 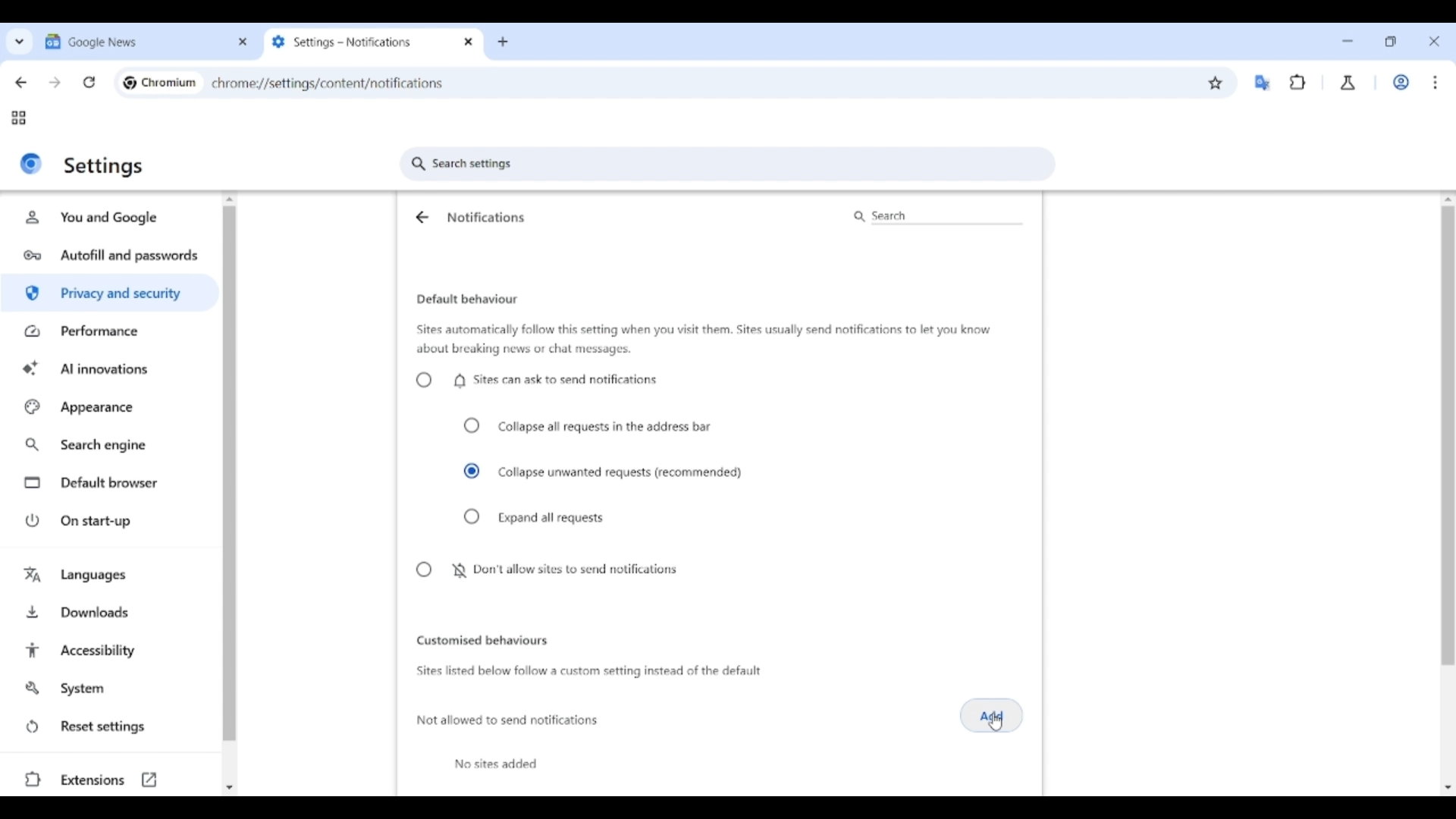 I want to click on Chromium, so click(x=169, y=82).